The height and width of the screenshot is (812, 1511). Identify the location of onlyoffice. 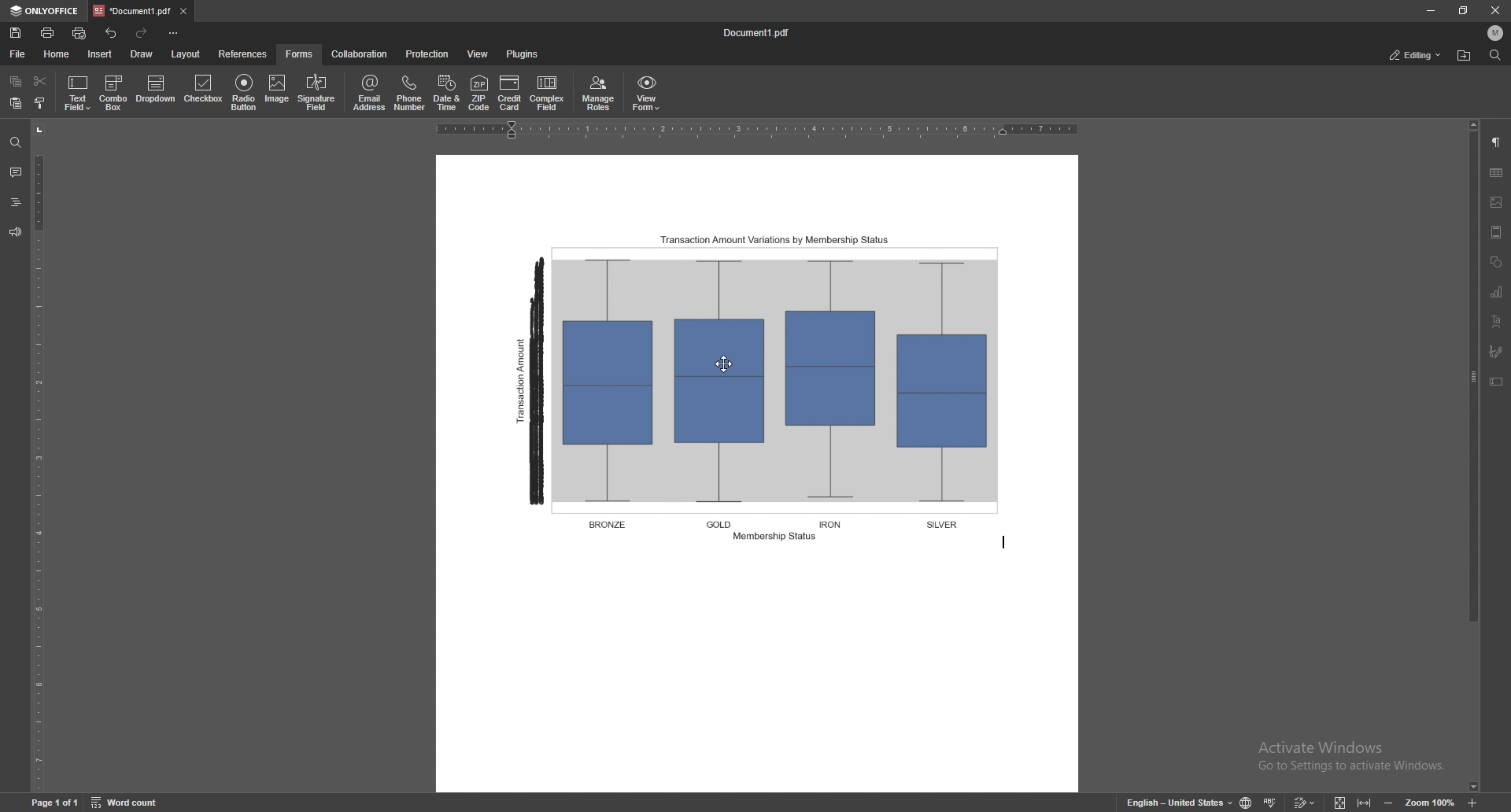
(46, 10).